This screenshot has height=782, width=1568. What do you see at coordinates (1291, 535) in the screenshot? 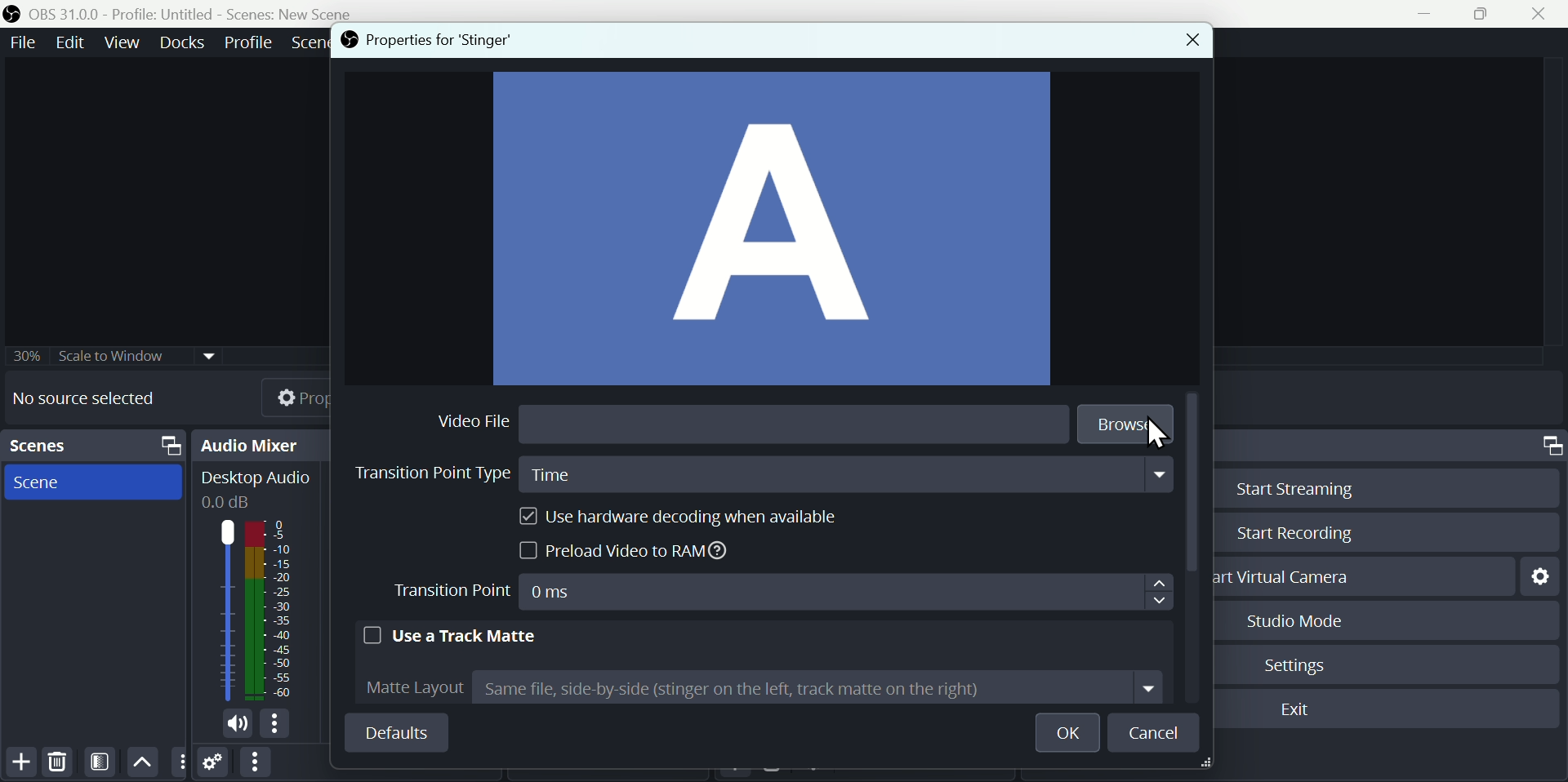
I see `Start recording` at bounding box center [1291, 535].